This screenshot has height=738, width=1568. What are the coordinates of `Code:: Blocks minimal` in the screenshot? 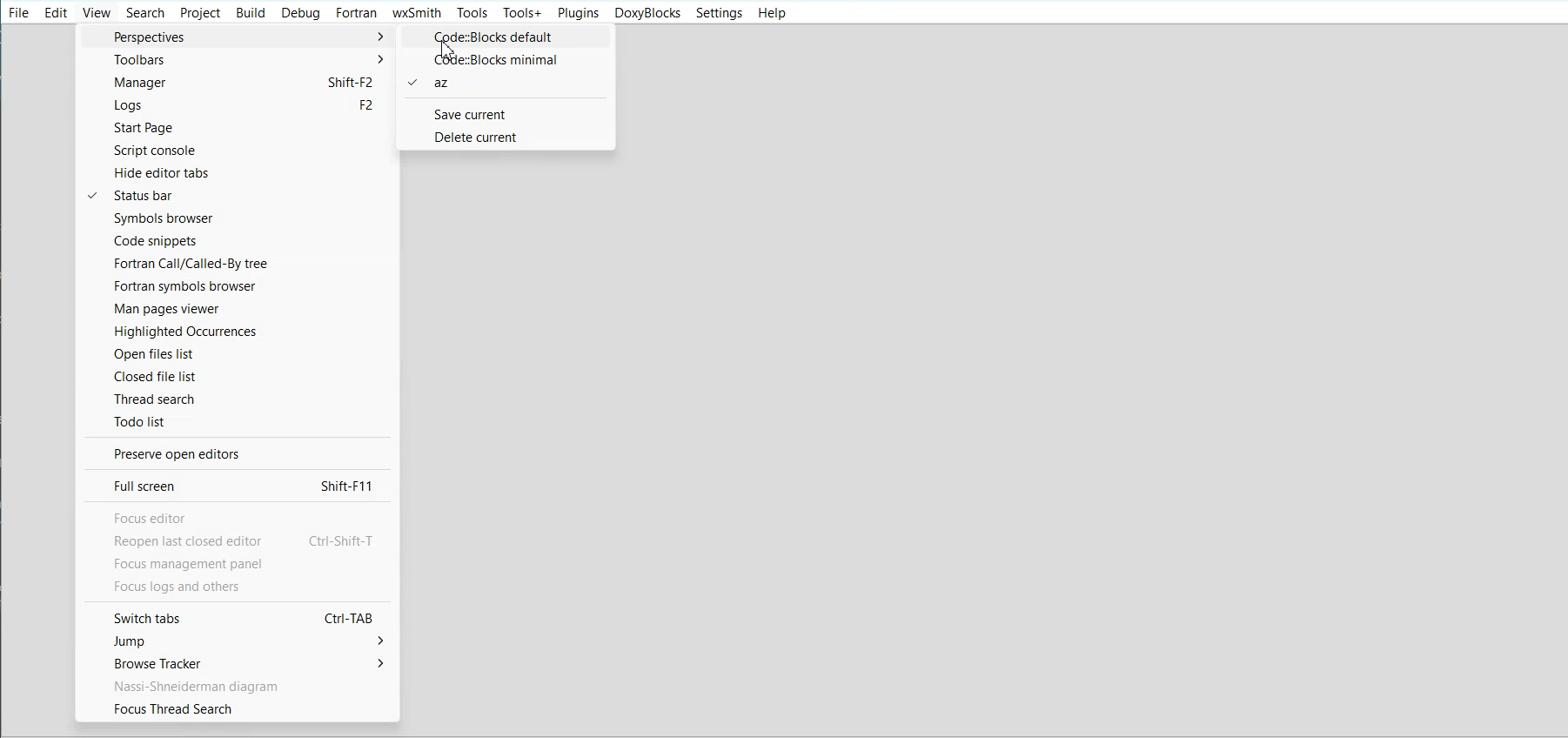 It's located at (504, 61).